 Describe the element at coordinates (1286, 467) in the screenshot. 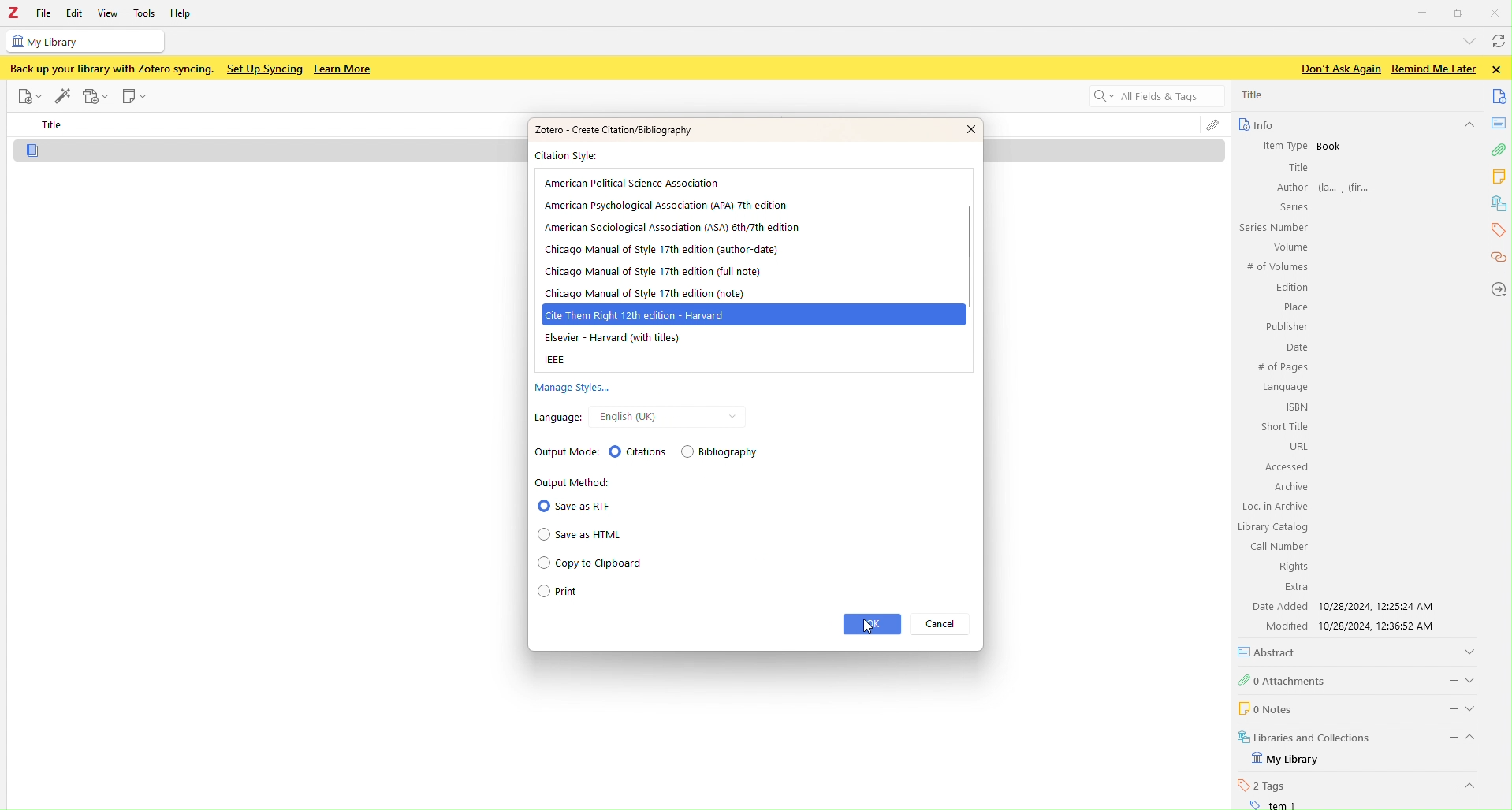

I see `Accessed` at that location.